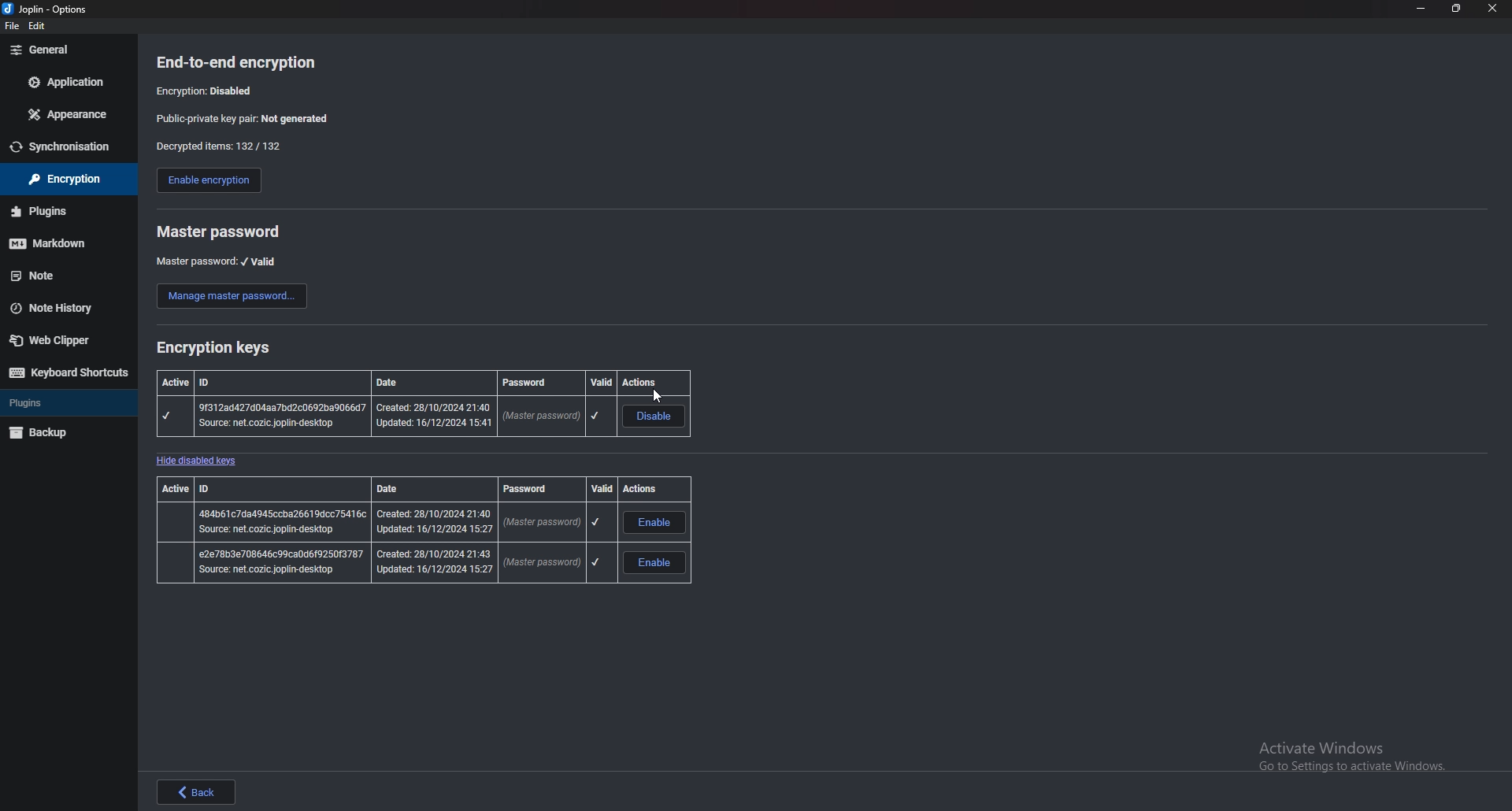 This screenshot has height=811, width=1512. I want to click on markdown, so click(63, 243).